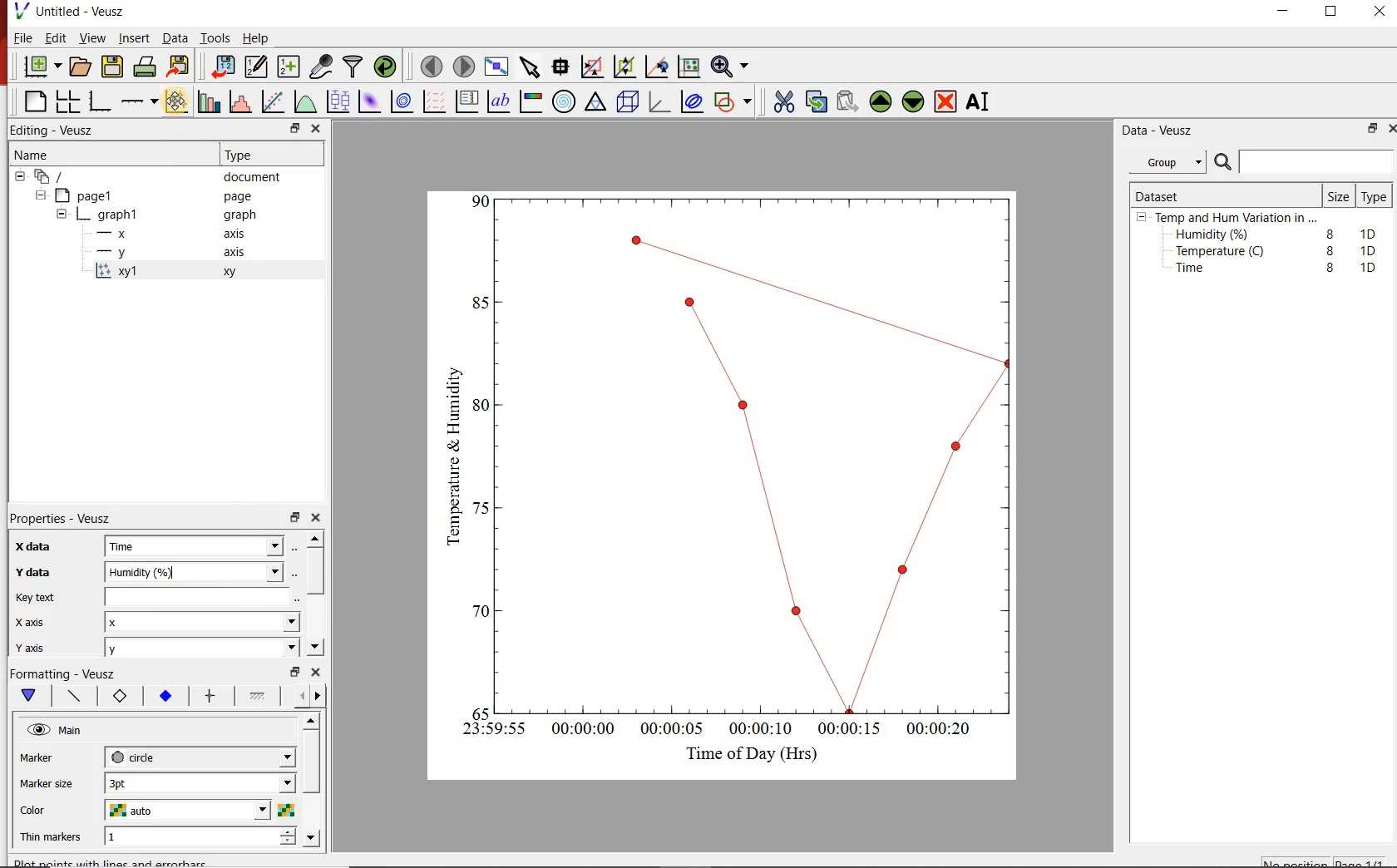 This screenshot has height=868, width=1397. I want to click on maximize, so click(1340, 12).